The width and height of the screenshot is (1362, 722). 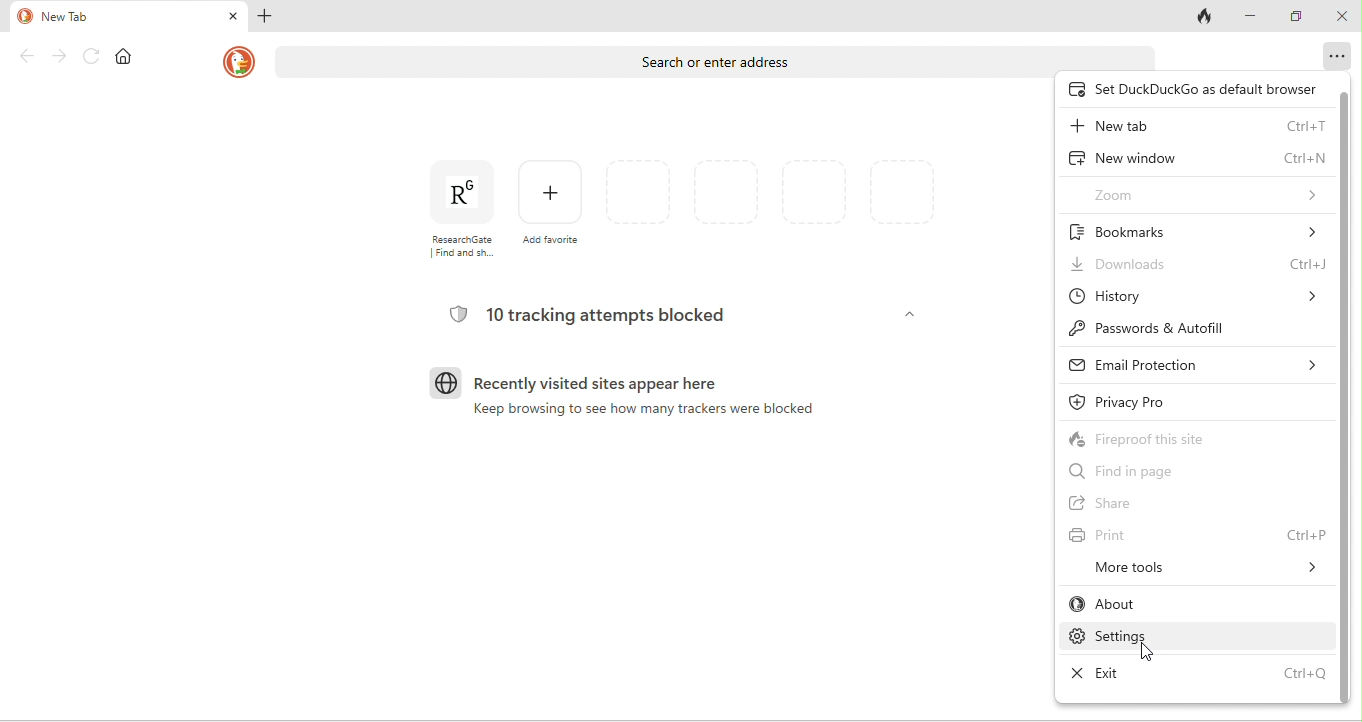 I want to click on search or enter address, so click(x=718, y=55).